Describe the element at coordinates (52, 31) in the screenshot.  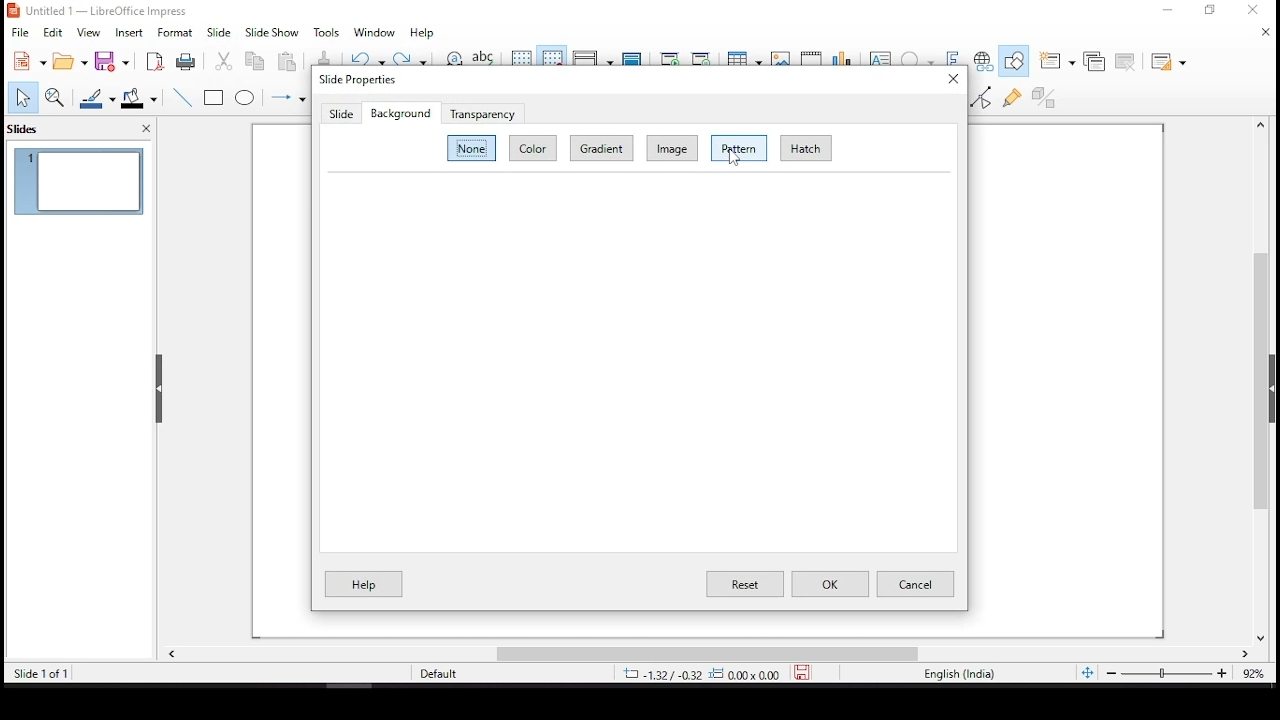
I see `edit` at that location.